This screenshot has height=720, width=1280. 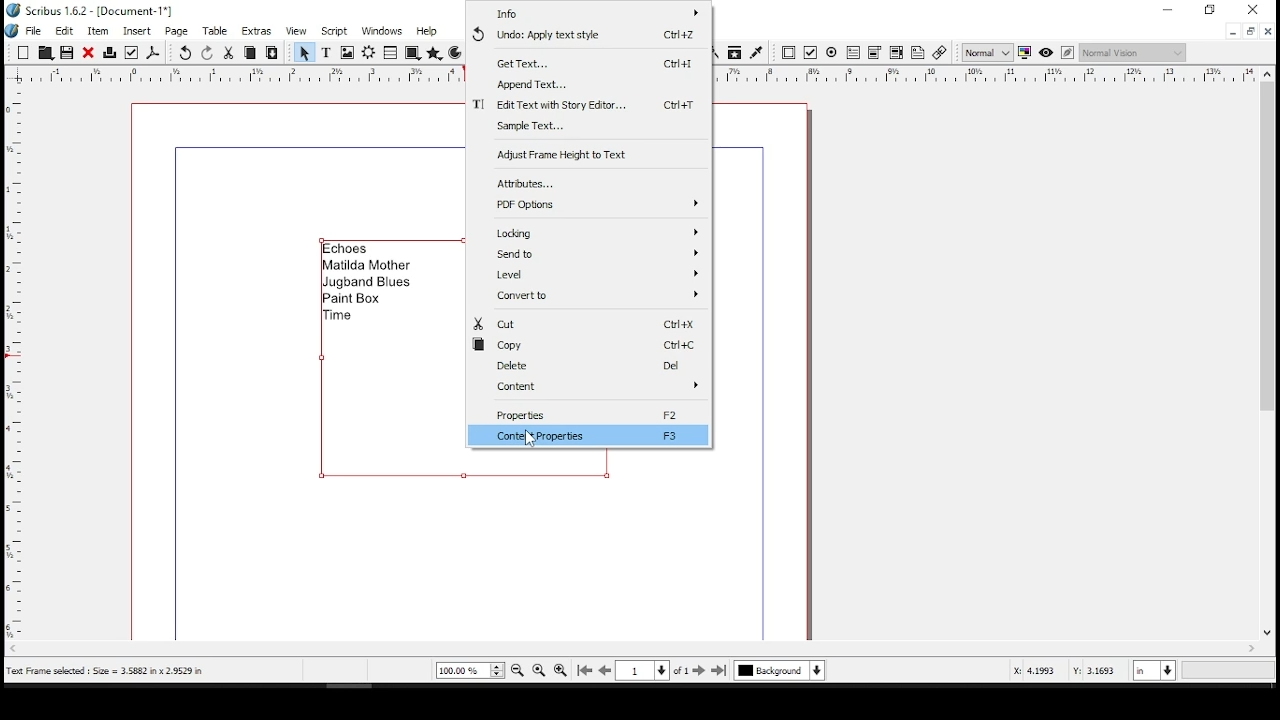 What do you see at coordinates (589, 347) in the screenshot?
I see `copy` at bounding box center [589, 347].